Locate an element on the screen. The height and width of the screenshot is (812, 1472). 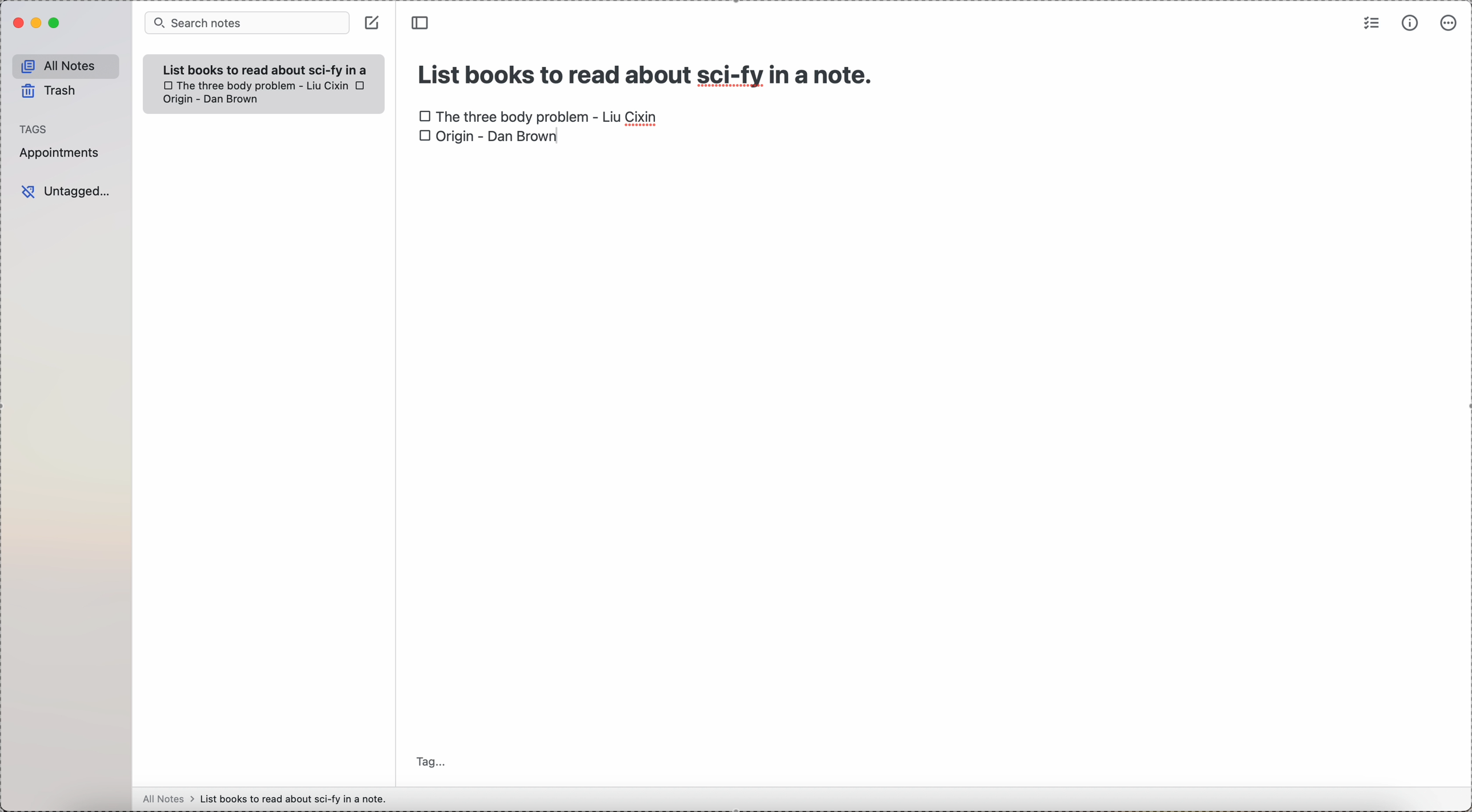
title: List books to read about sci-fy in a note. is located at coordinates (648, 71).